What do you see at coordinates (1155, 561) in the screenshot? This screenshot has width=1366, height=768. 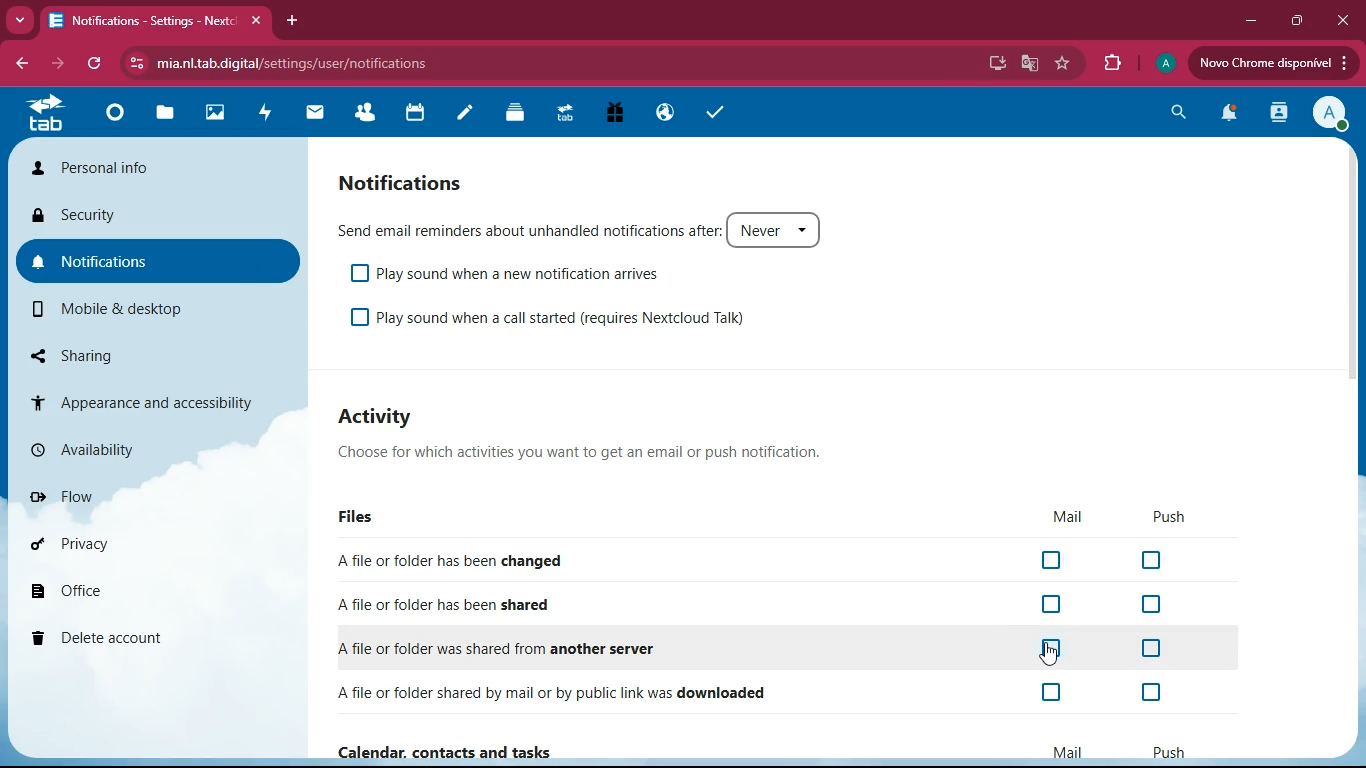 I see `off` at bounding box center [1155, 561].